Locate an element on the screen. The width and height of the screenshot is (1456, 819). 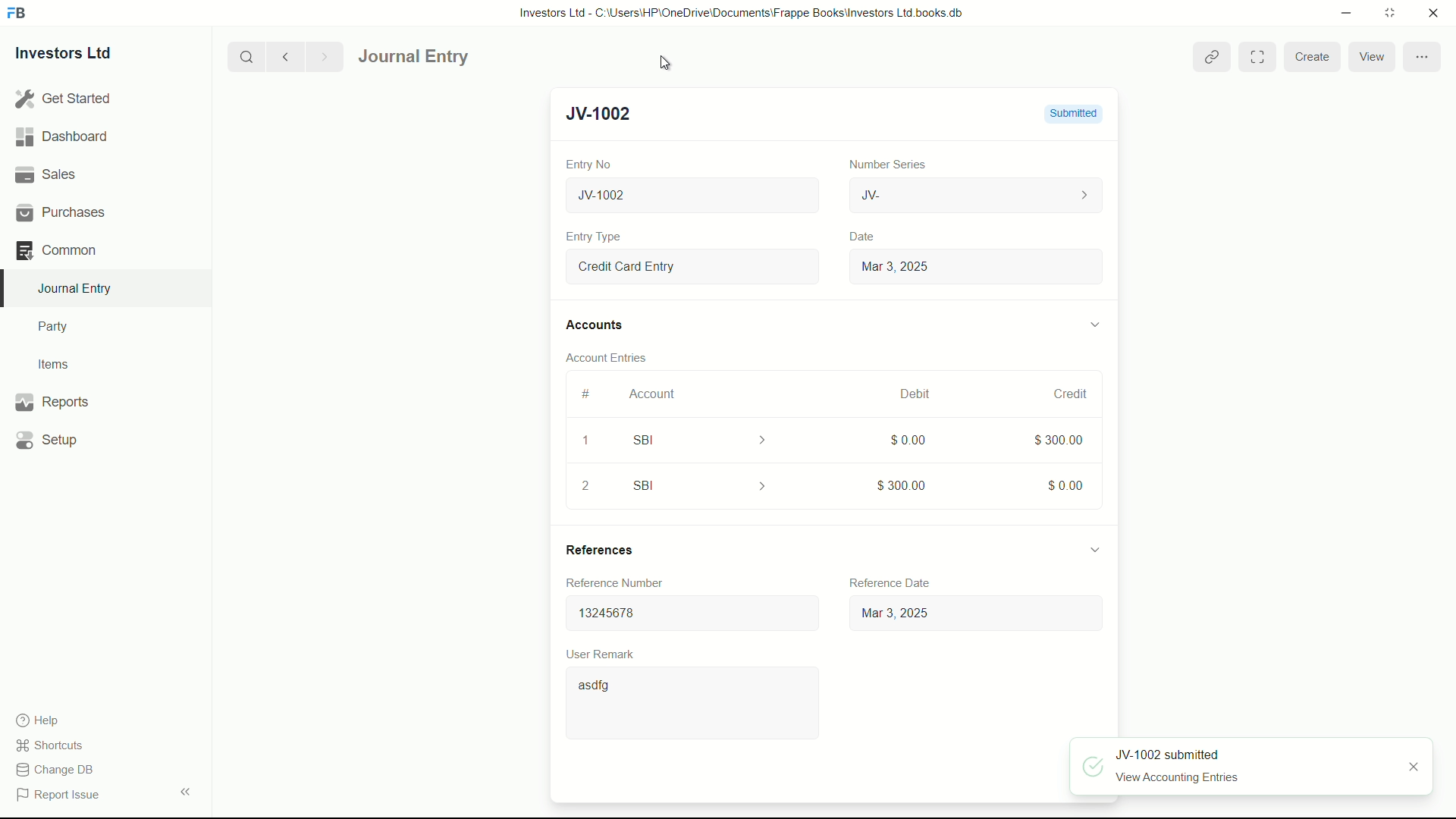
Toggle between form and full width is located at coordinates (1258, 56).